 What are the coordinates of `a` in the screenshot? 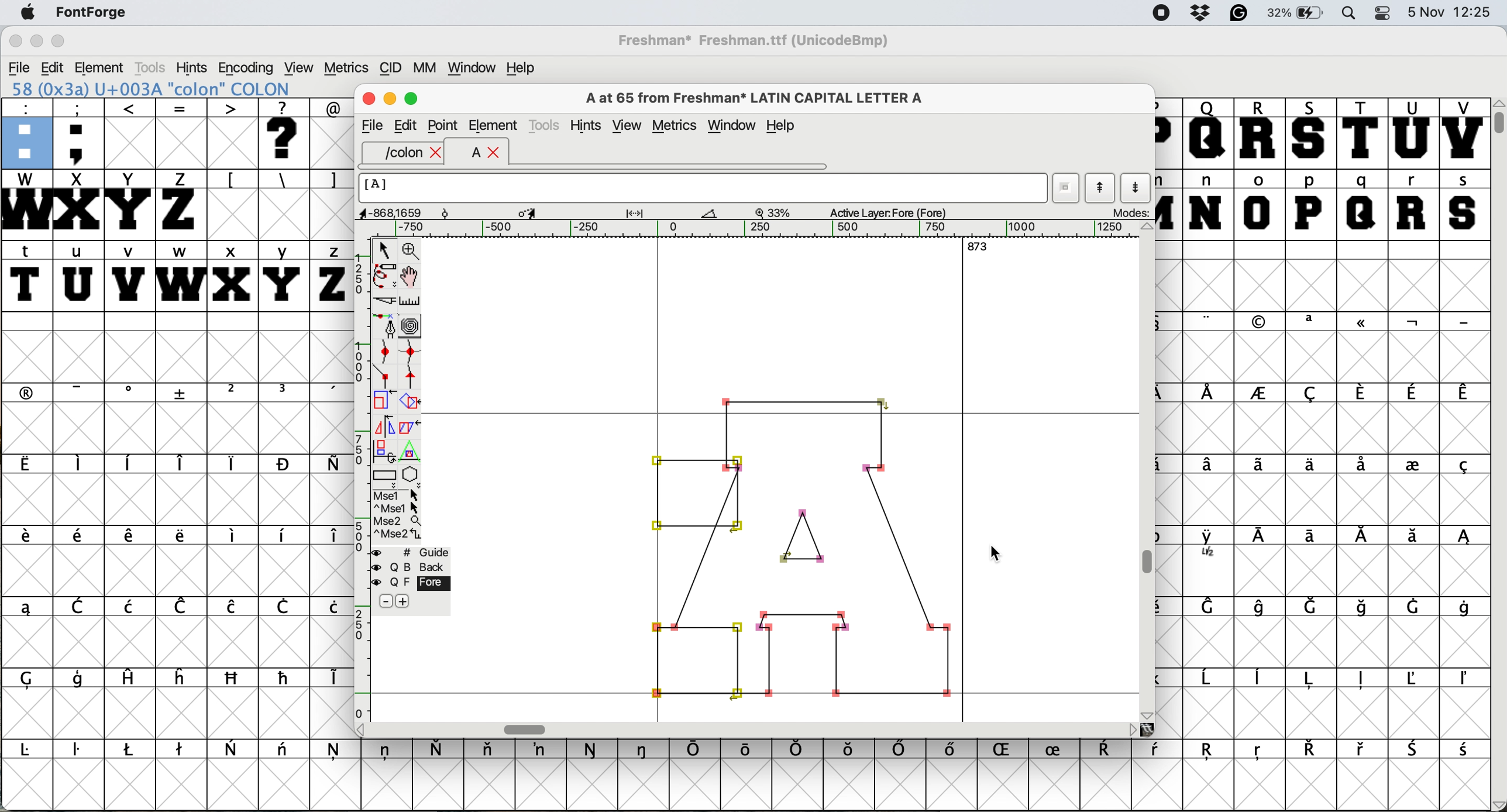 It's located at (469, 154).